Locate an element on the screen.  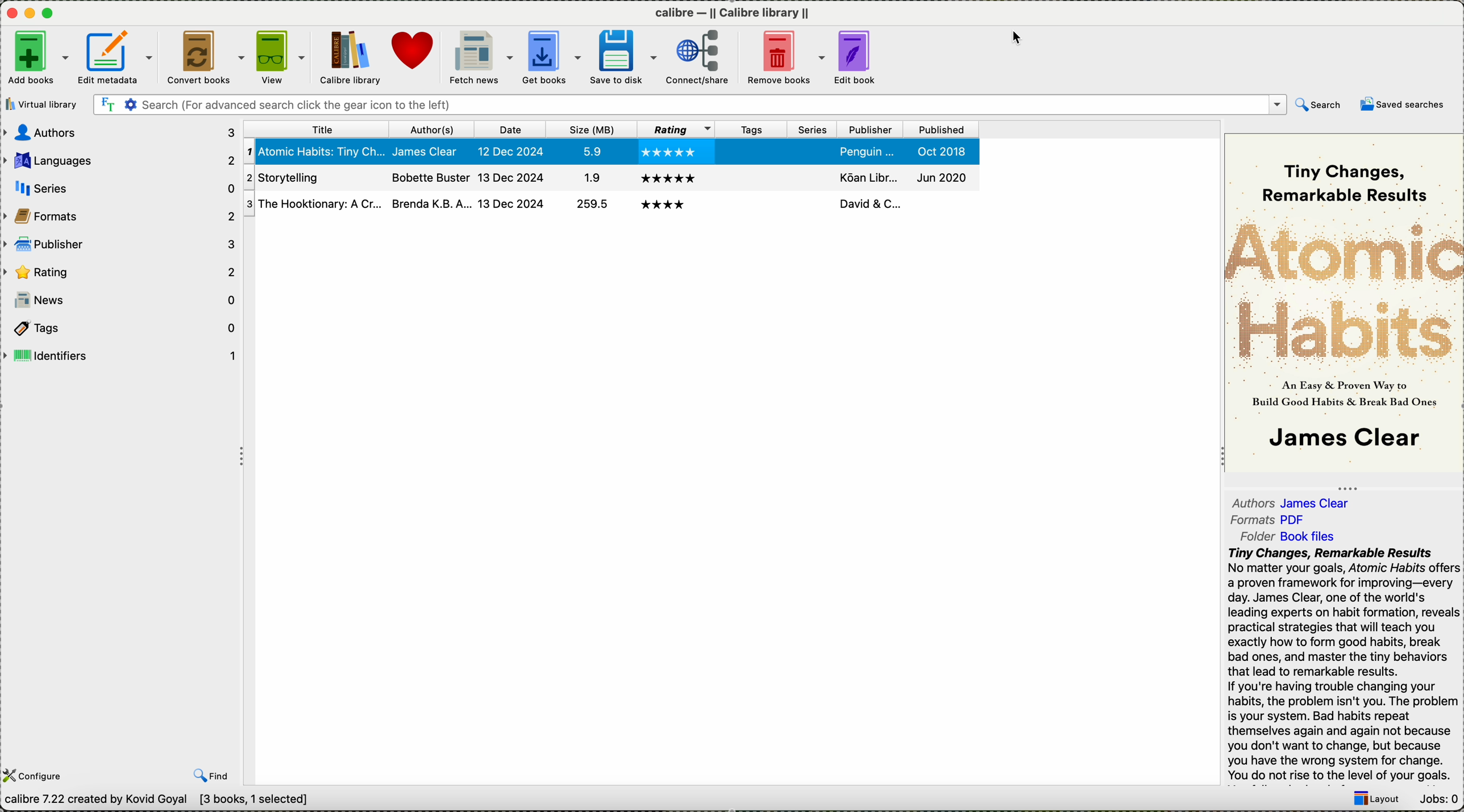
add books is located at coordinates (38, 60).